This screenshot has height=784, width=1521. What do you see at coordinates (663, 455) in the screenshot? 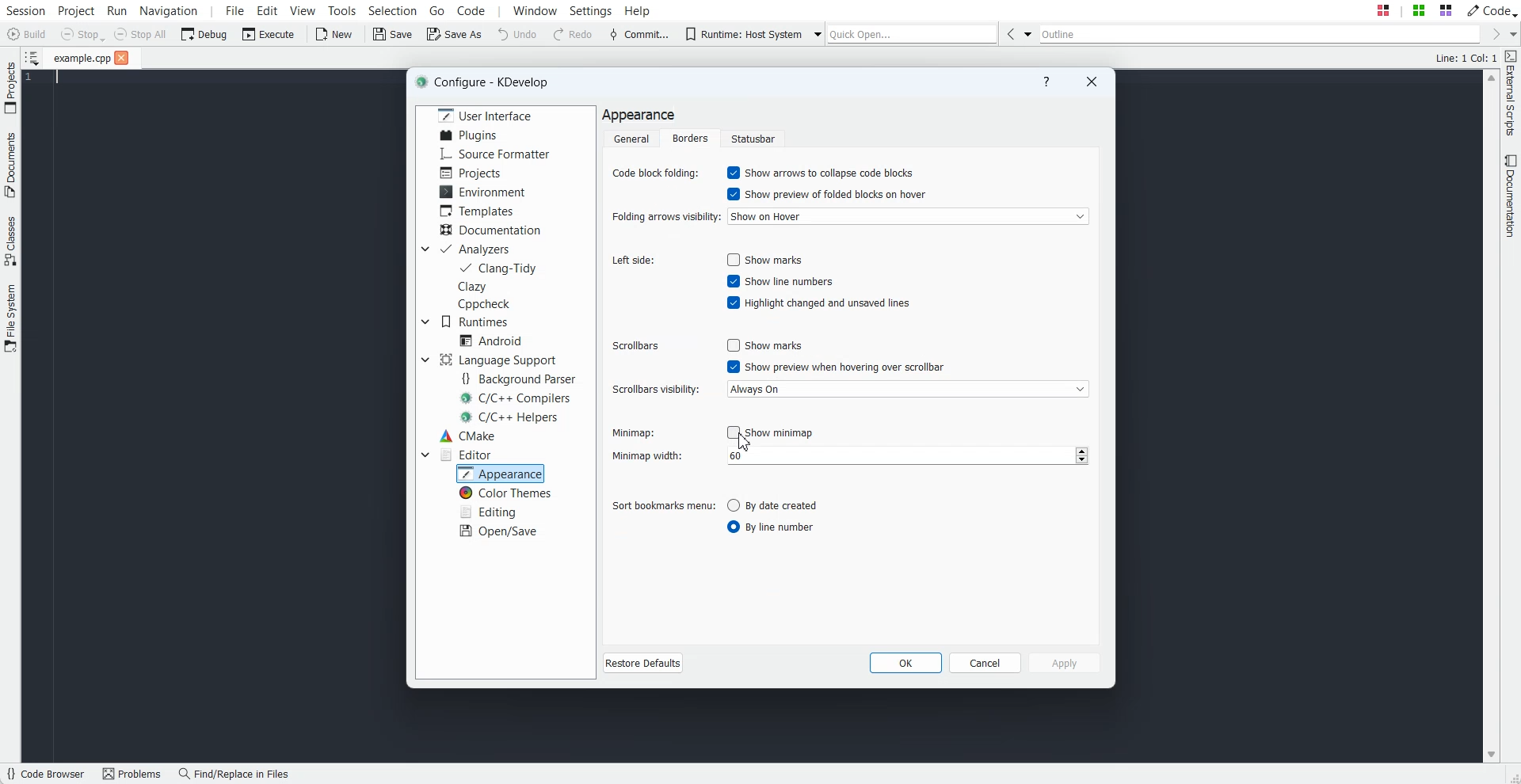
I see `Minimap width` at bounding box center [663, 455].